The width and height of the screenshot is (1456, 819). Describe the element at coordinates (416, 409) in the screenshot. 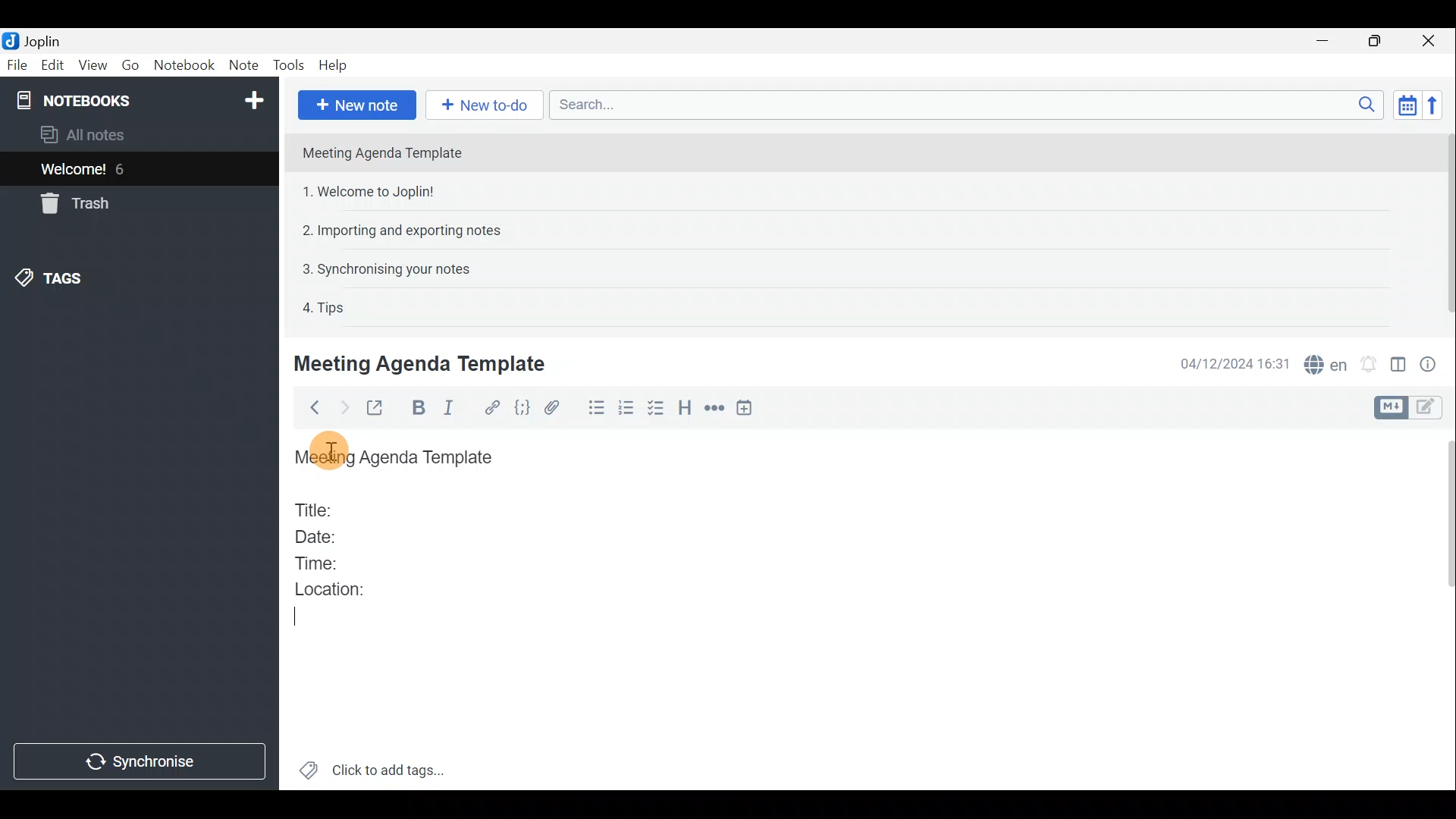

I see `Bold` at that location.